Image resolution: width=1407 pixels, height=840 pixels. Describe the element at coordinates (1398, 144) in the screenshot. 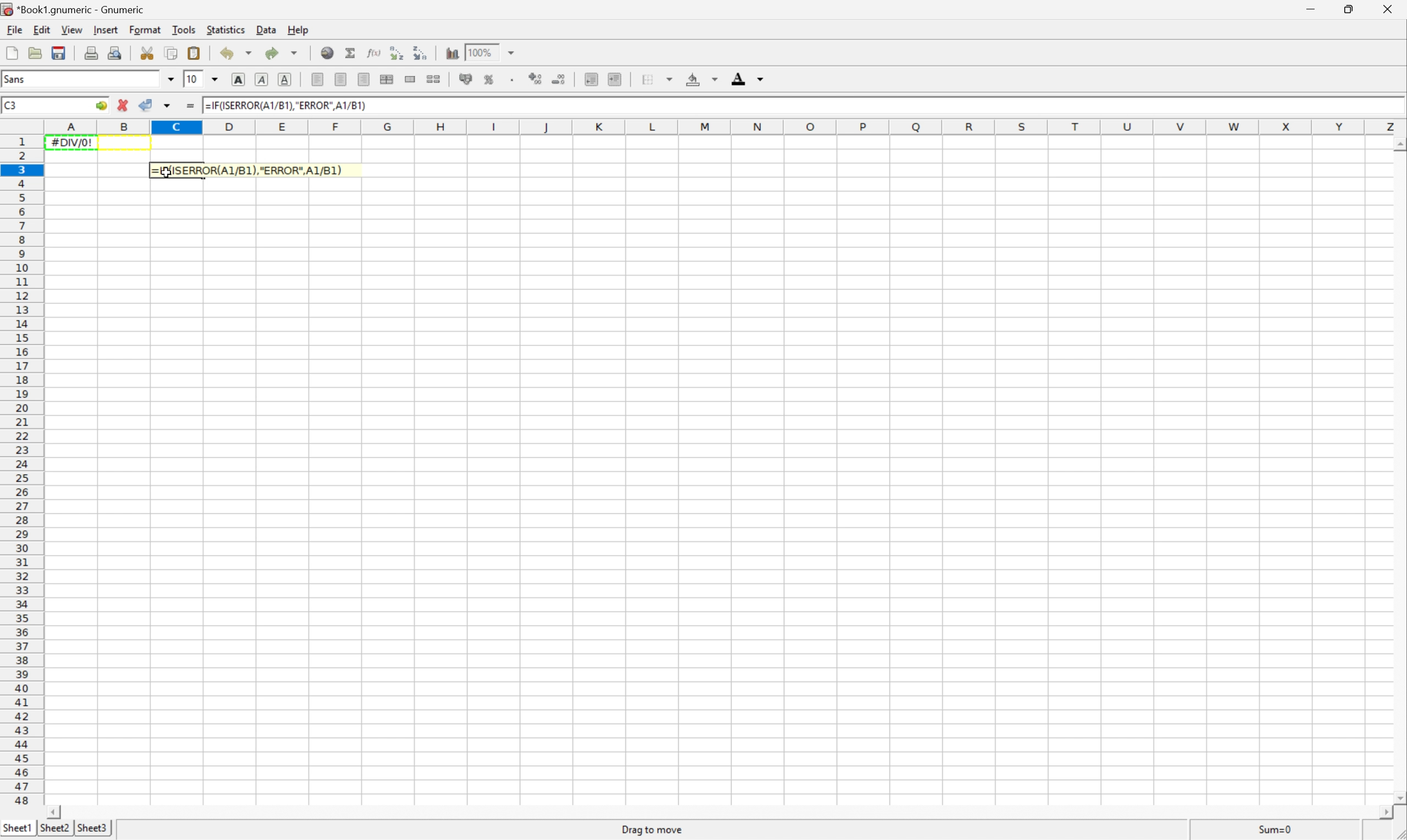

I see `Scroll up` at that location.